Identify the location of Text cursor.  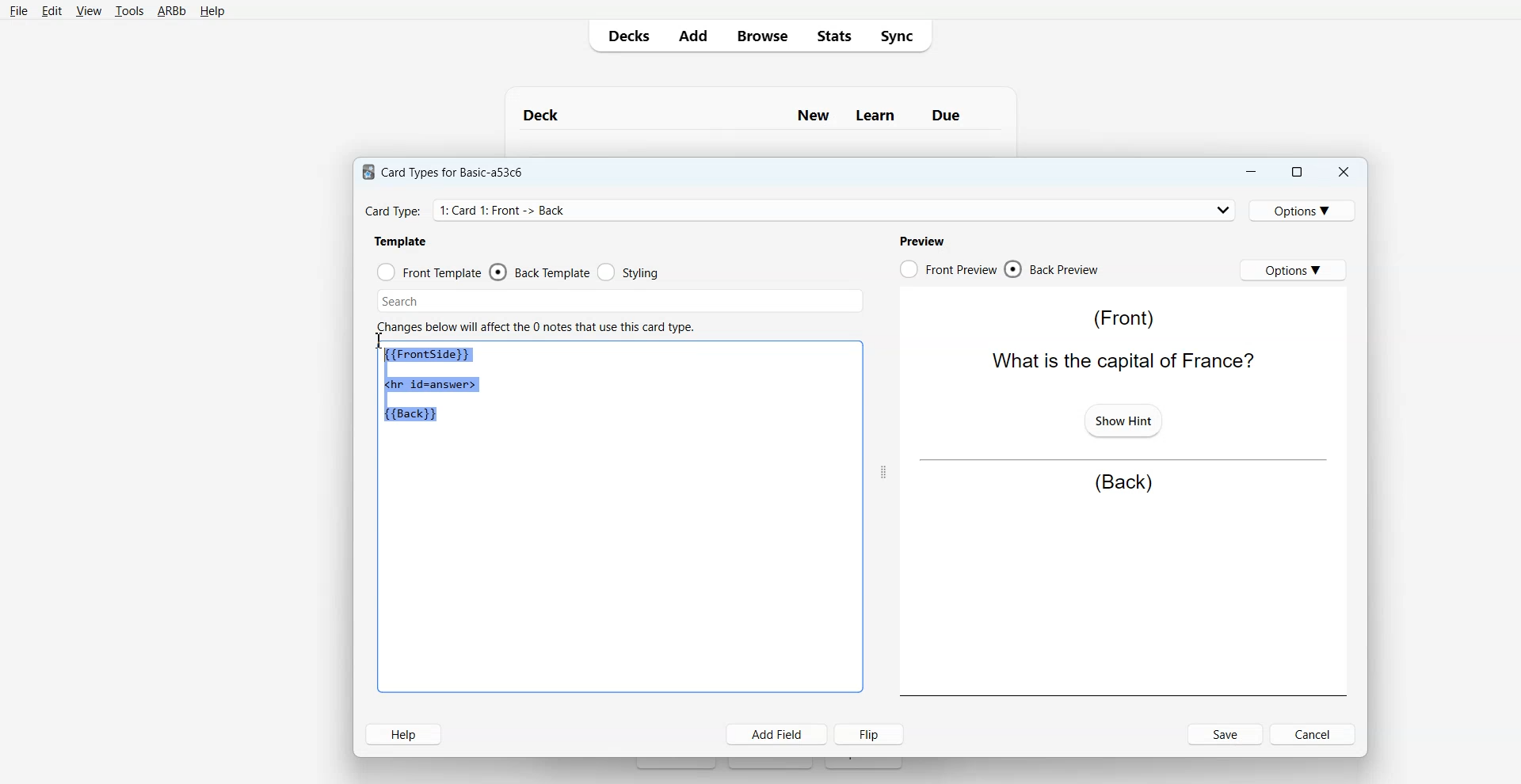
(379, 340).